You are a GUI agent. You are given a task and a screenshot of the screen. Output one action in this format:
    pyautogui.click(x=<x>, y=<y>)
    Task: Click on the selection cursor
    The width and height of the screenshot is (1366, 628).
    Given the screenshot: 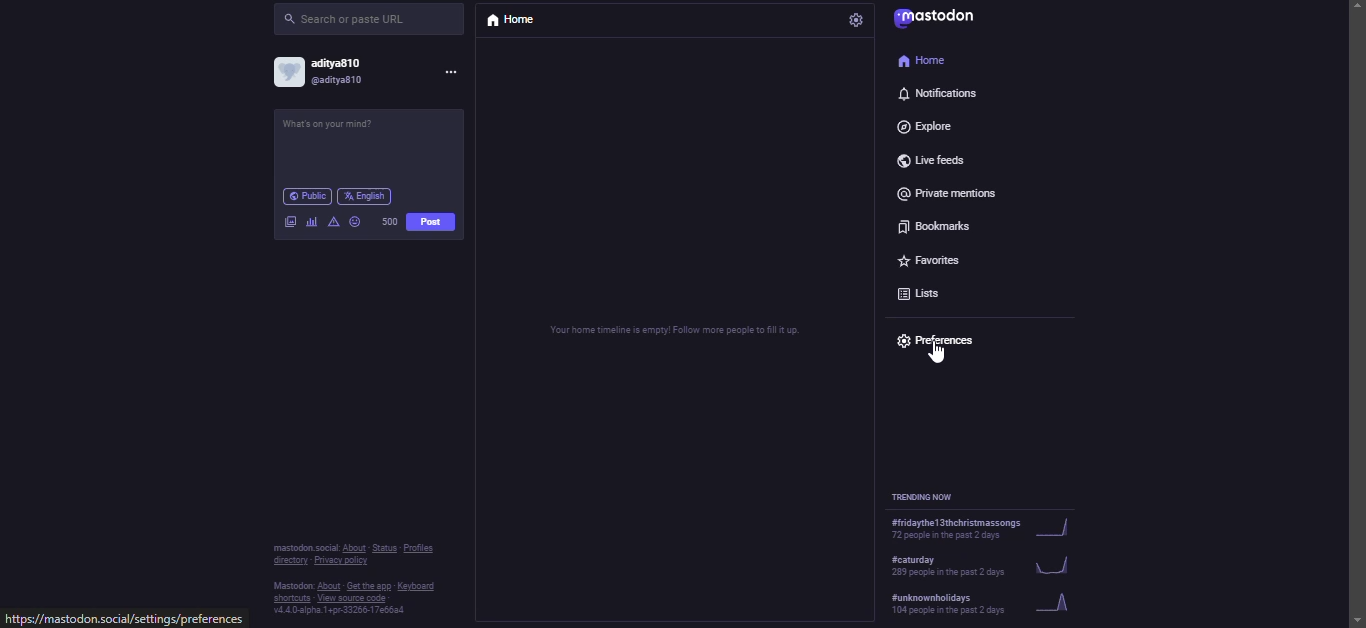 What is the action you would take?
    pyautogui.click(x=934, y=353)
    